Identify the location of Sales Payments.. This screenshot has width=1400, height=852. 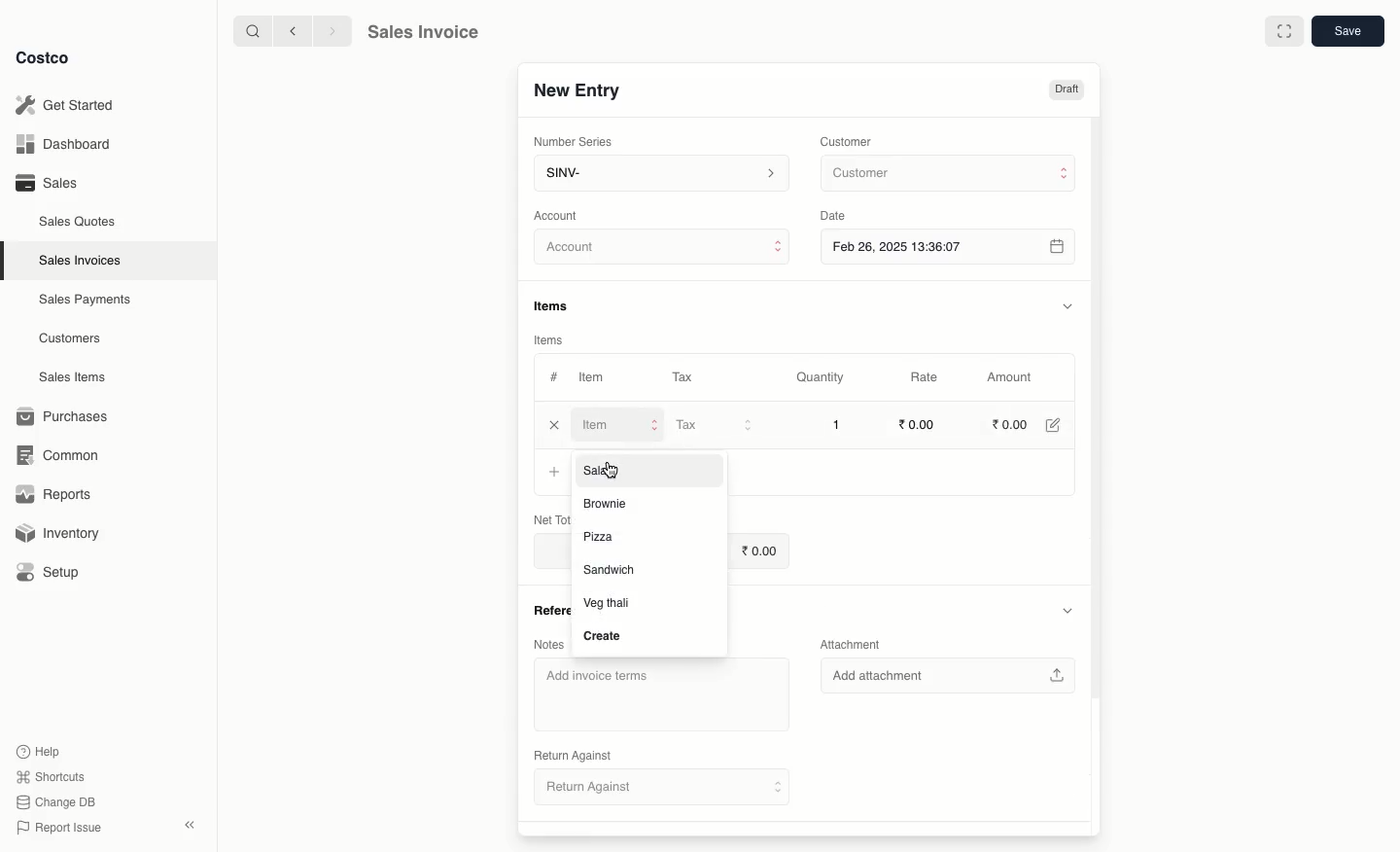
(87, 302).